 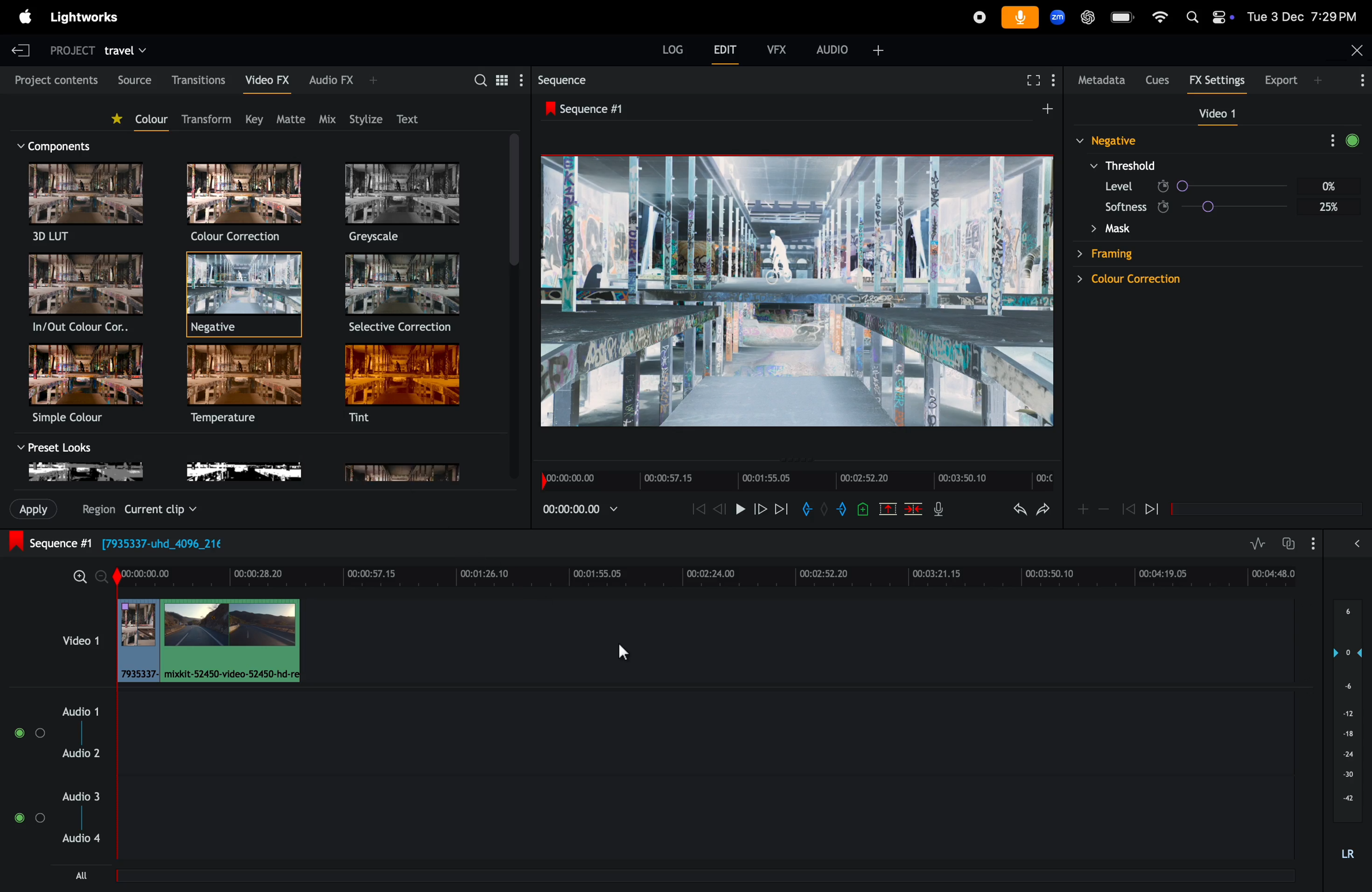 What do you see at coordinates (1126, 207) in the screenshot?
I see `` at bounding box center [1126, 207].